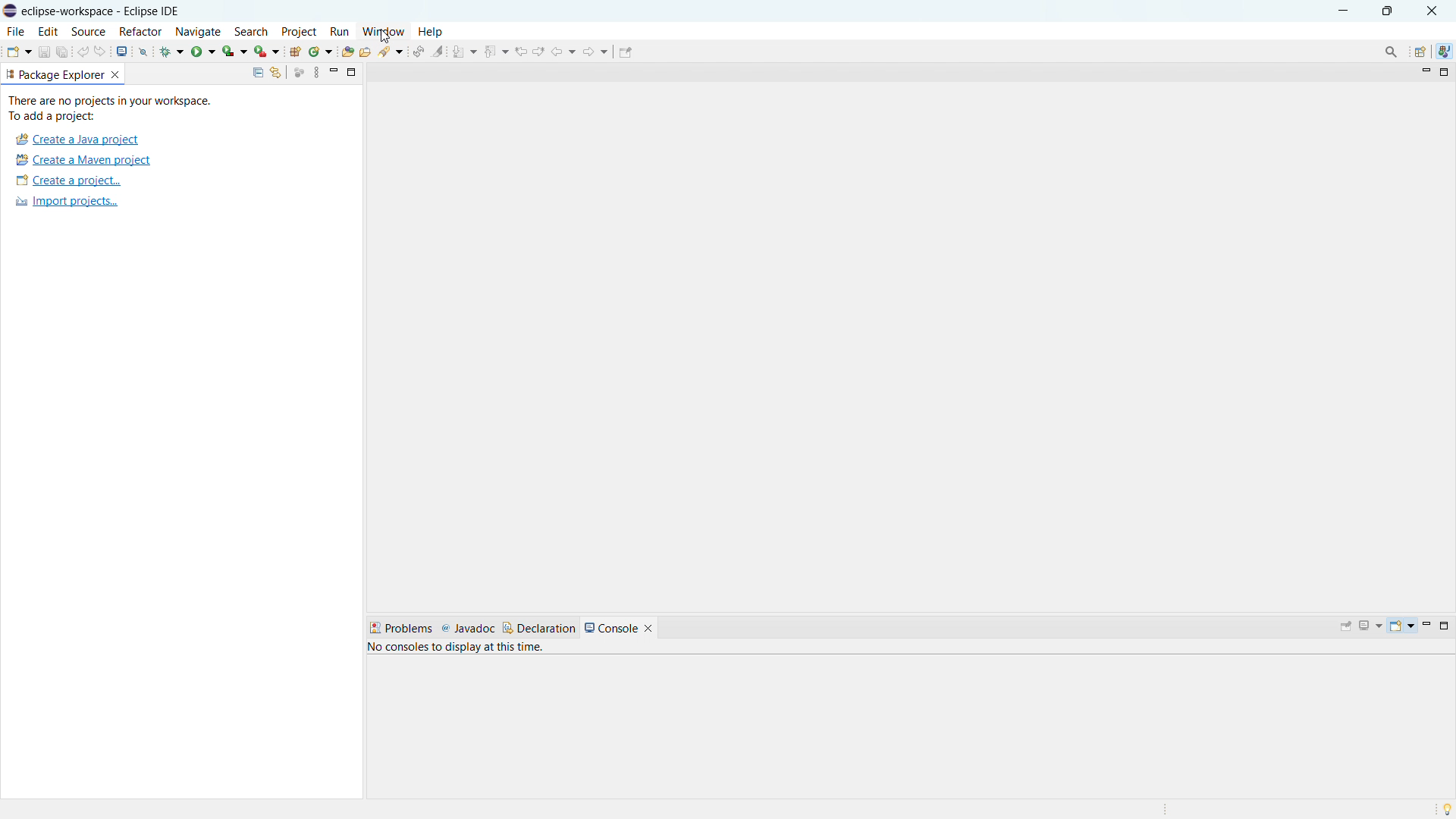 This screenshot has width=1456, height=819. What do you see at coordinates (84, 50) in the screenshot?
I see `undo` at bounding box center [84, 50].